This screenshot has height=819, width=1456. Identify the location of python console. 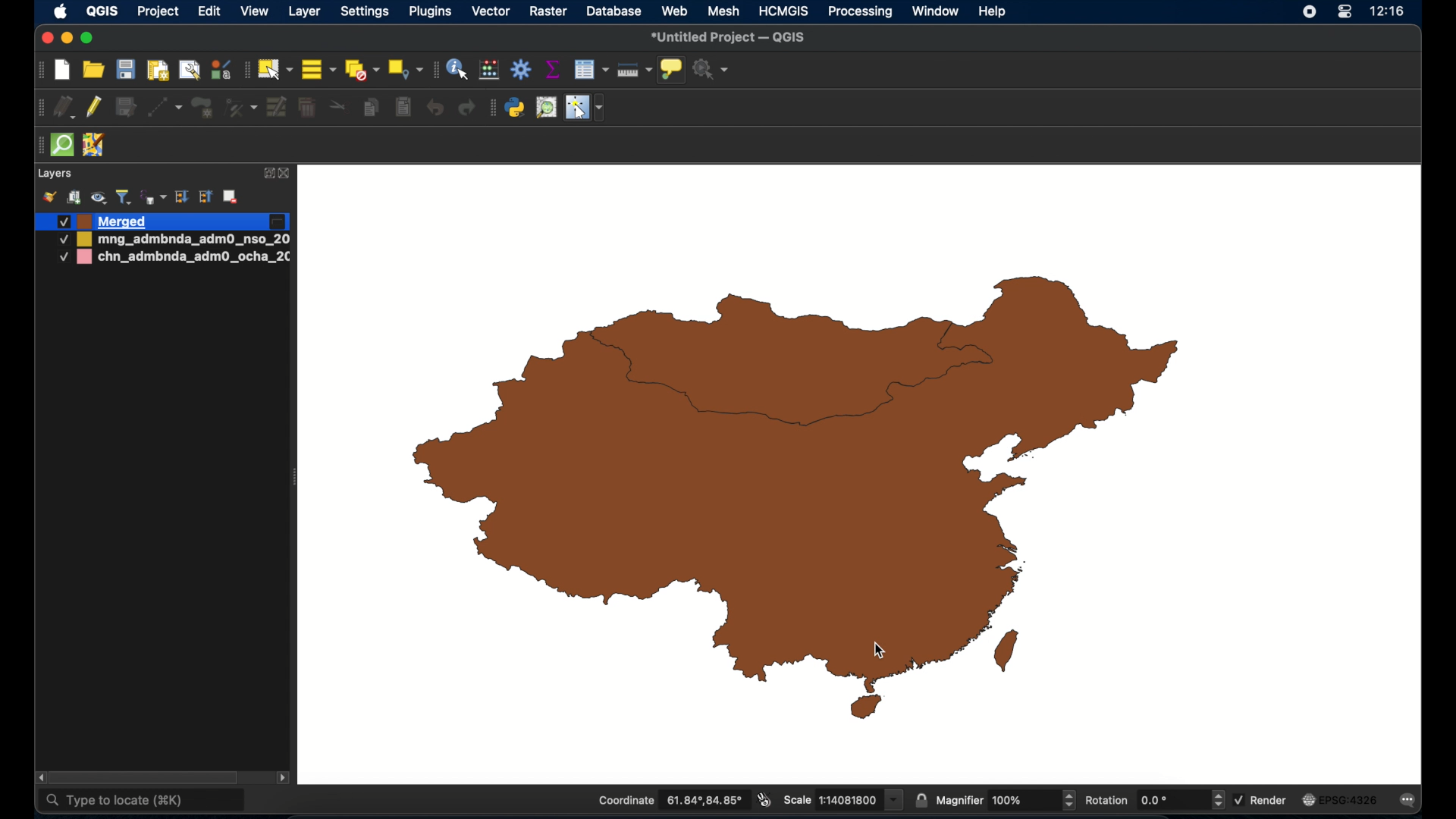
(516, 108).